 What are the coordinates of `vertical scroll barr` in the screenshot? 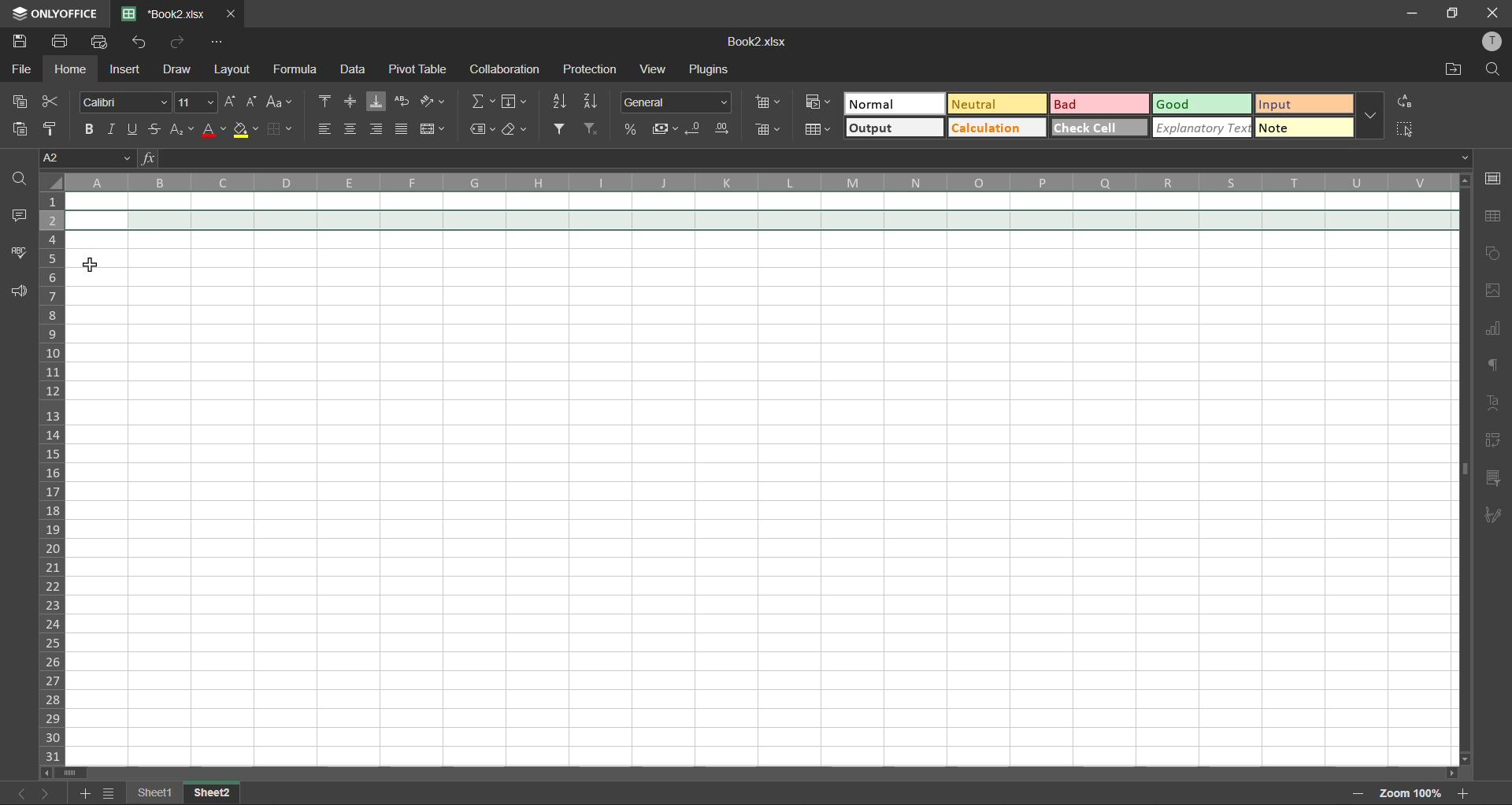 It's located at (1462, 469).